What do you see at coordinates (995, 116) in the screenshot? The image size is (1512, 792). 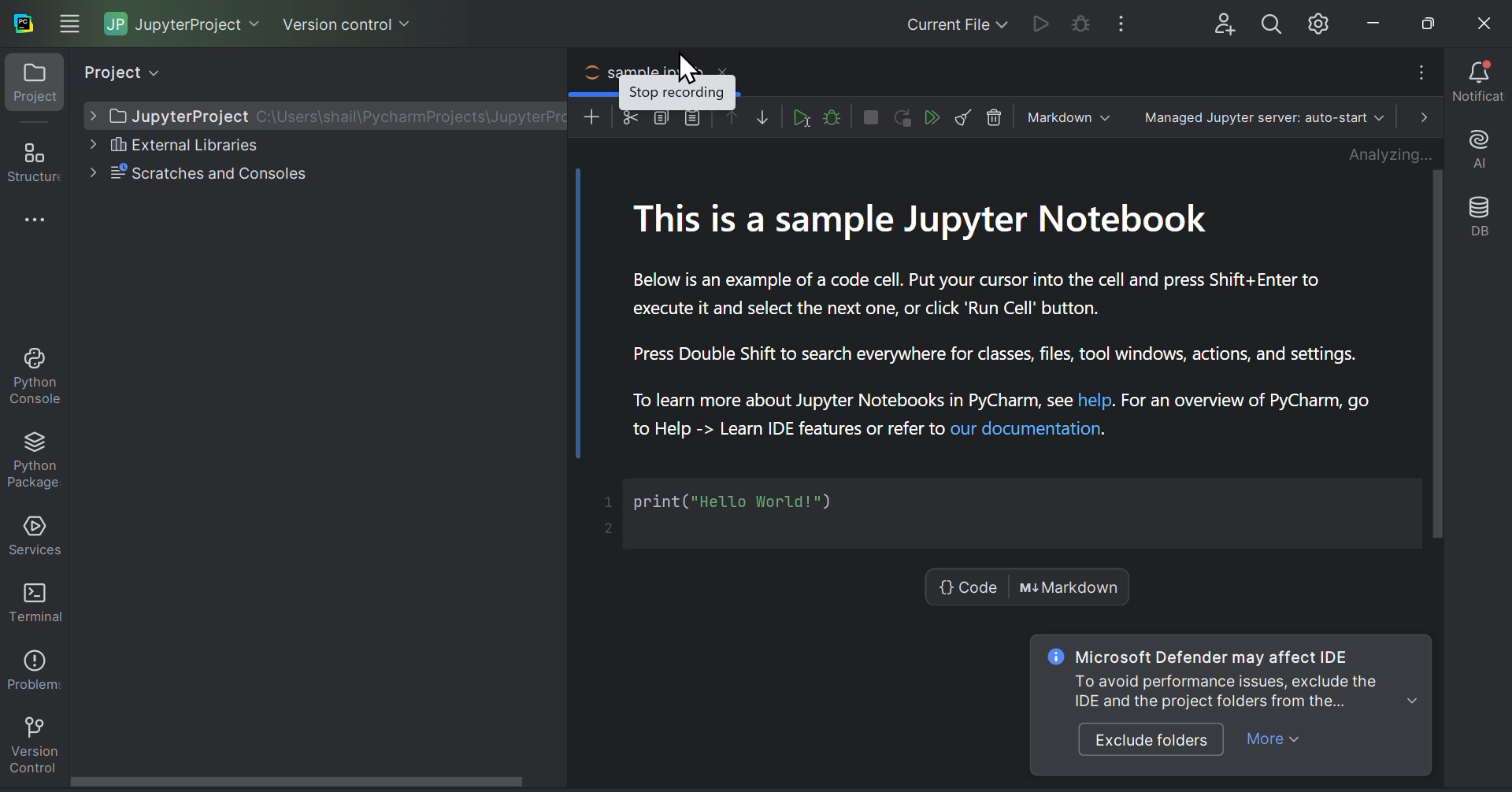 I see `delete cell` at bounding box center [995, 116].